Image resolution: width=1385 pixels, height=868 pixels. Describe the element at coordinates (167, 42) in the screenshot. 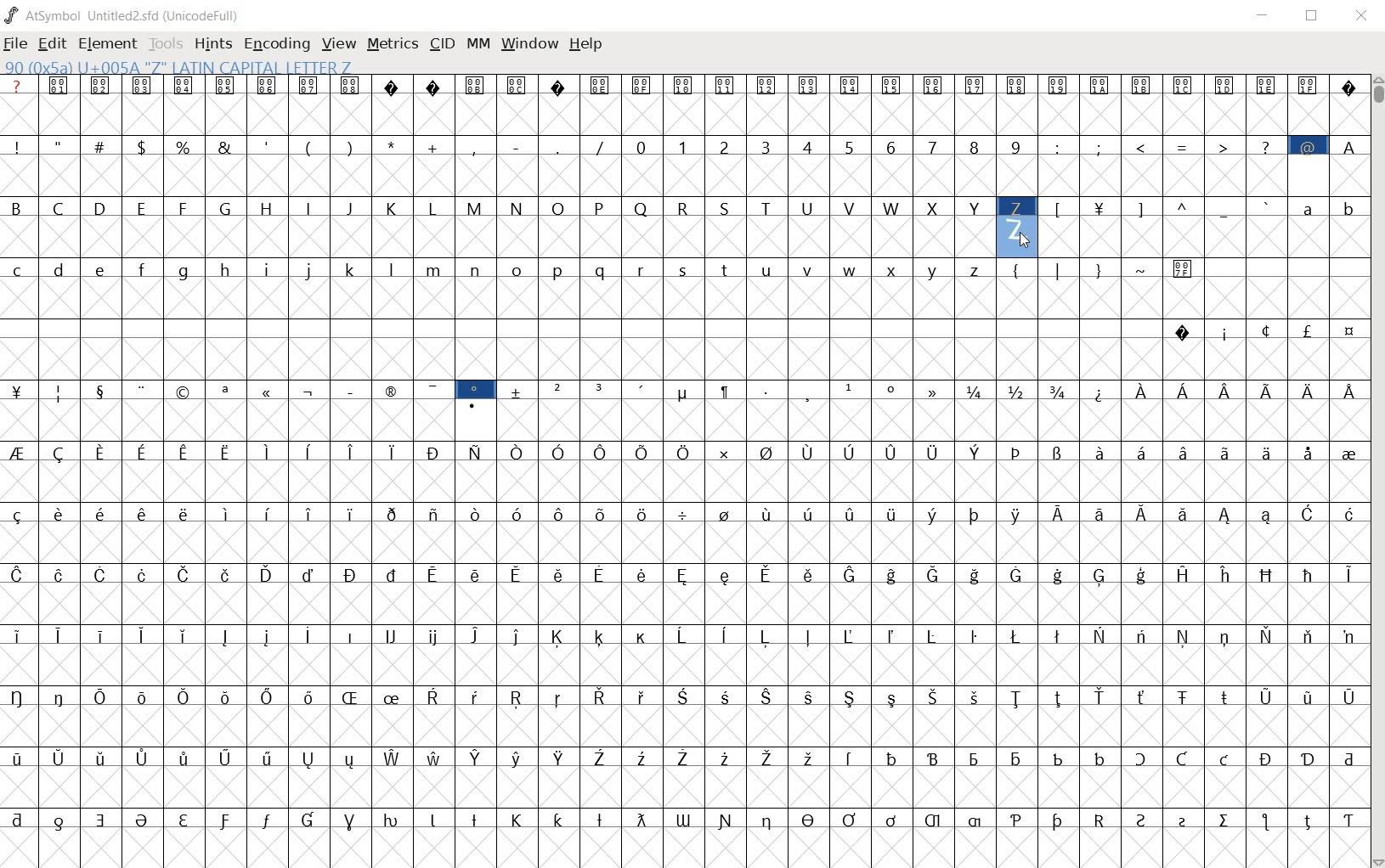

I see `tools` at that location.